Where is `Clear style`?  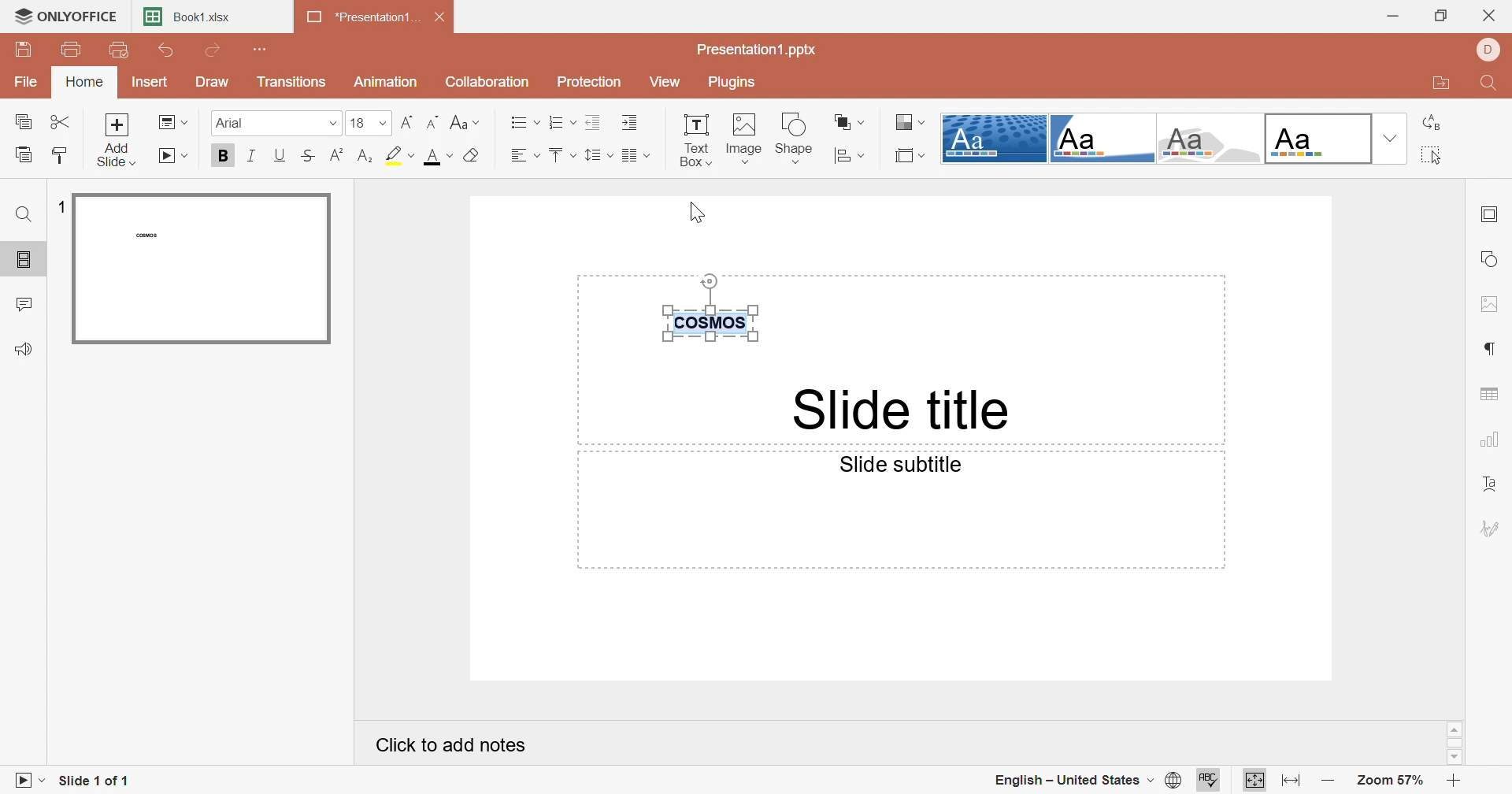 Clear style is located at coordinates (472, 157).